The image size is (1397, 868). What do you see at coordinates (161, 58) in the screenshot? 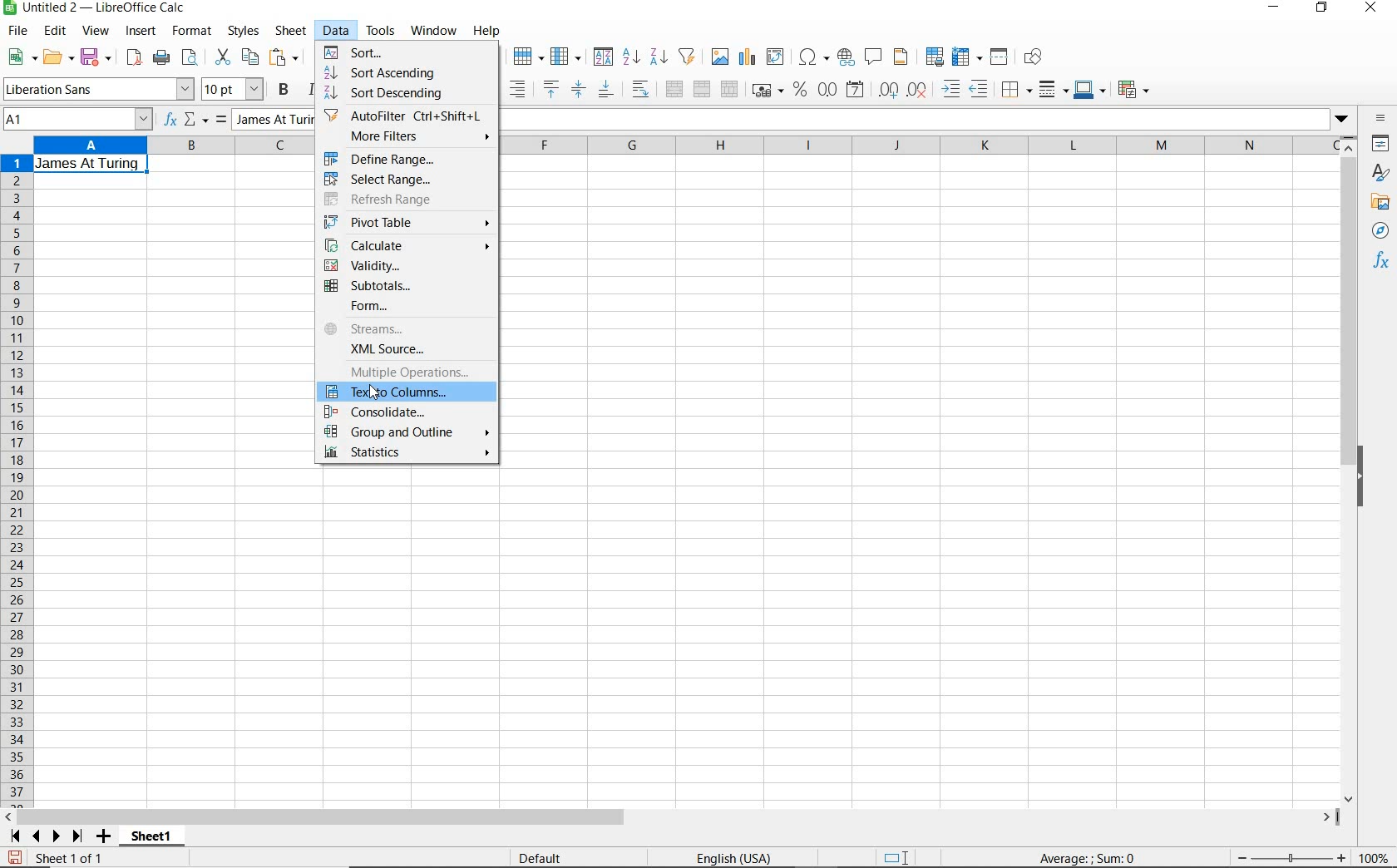
I see `print` at bounding box center [161, 58].